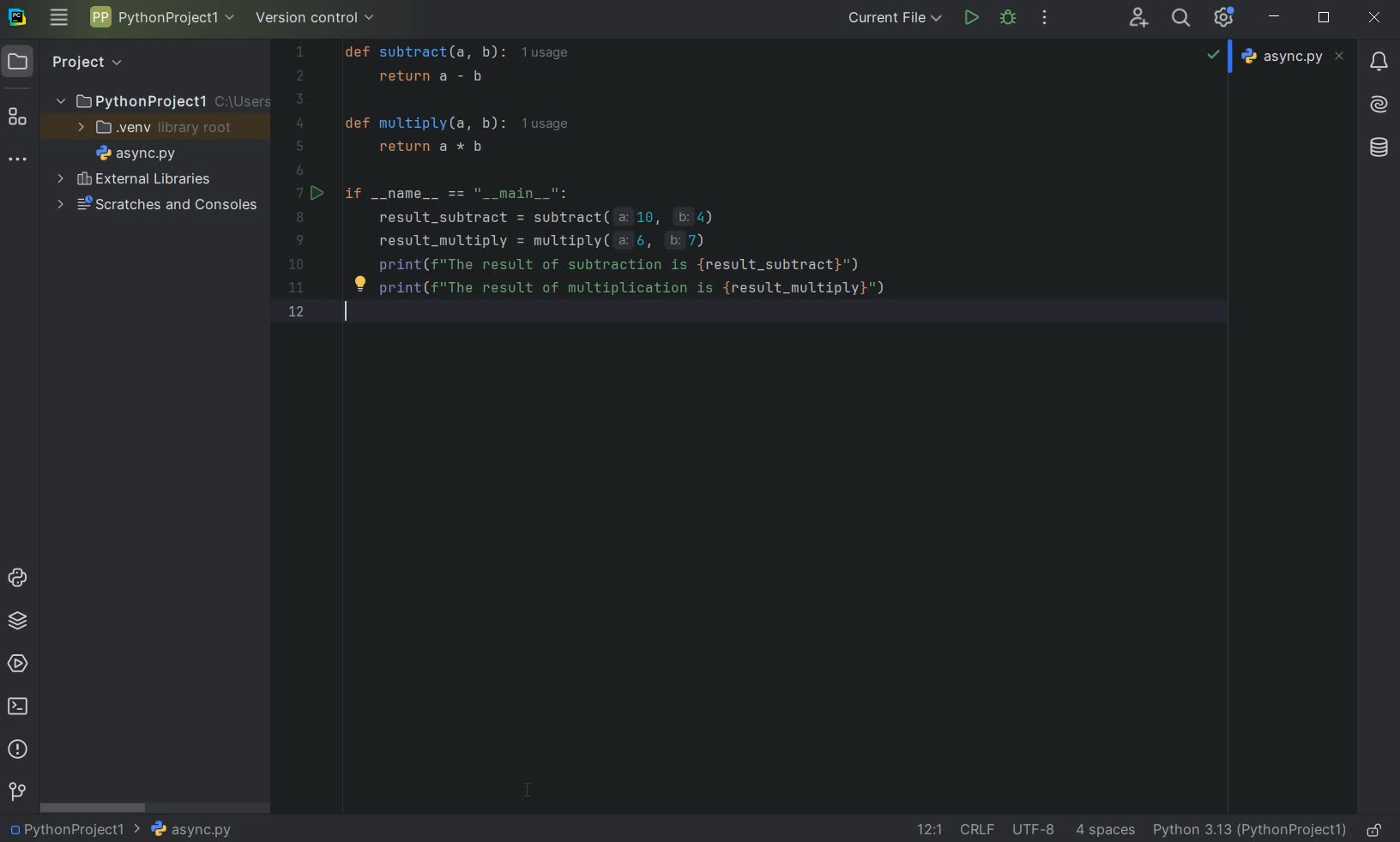 This screenshot has height=842, width=1400. Describe the element at coordinates (1105, 830) in the screenshot. I see `indent` at that location.